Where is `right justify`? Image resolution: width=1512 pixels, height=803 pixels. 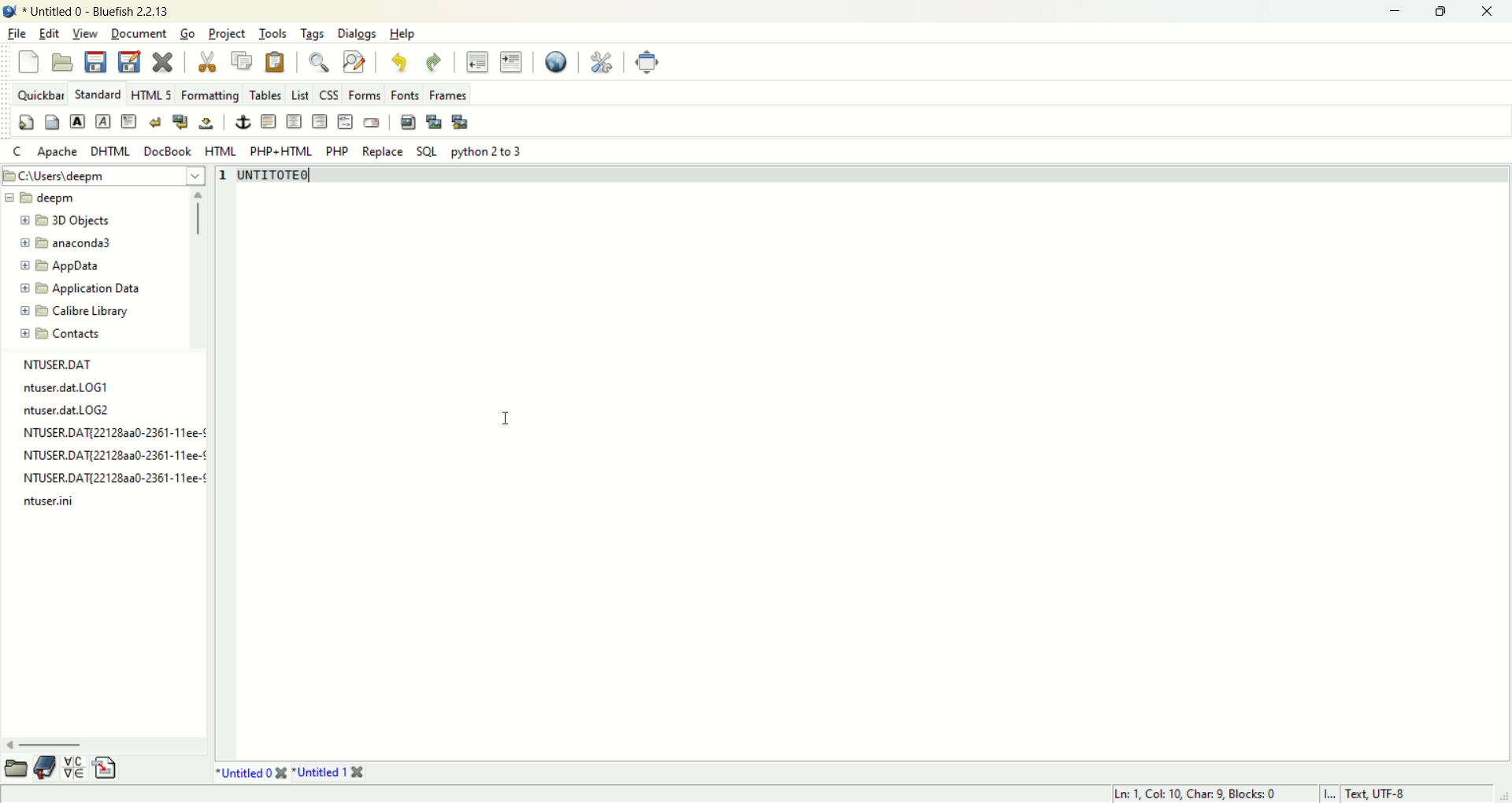
right justify is located at coordinates (319, 121).